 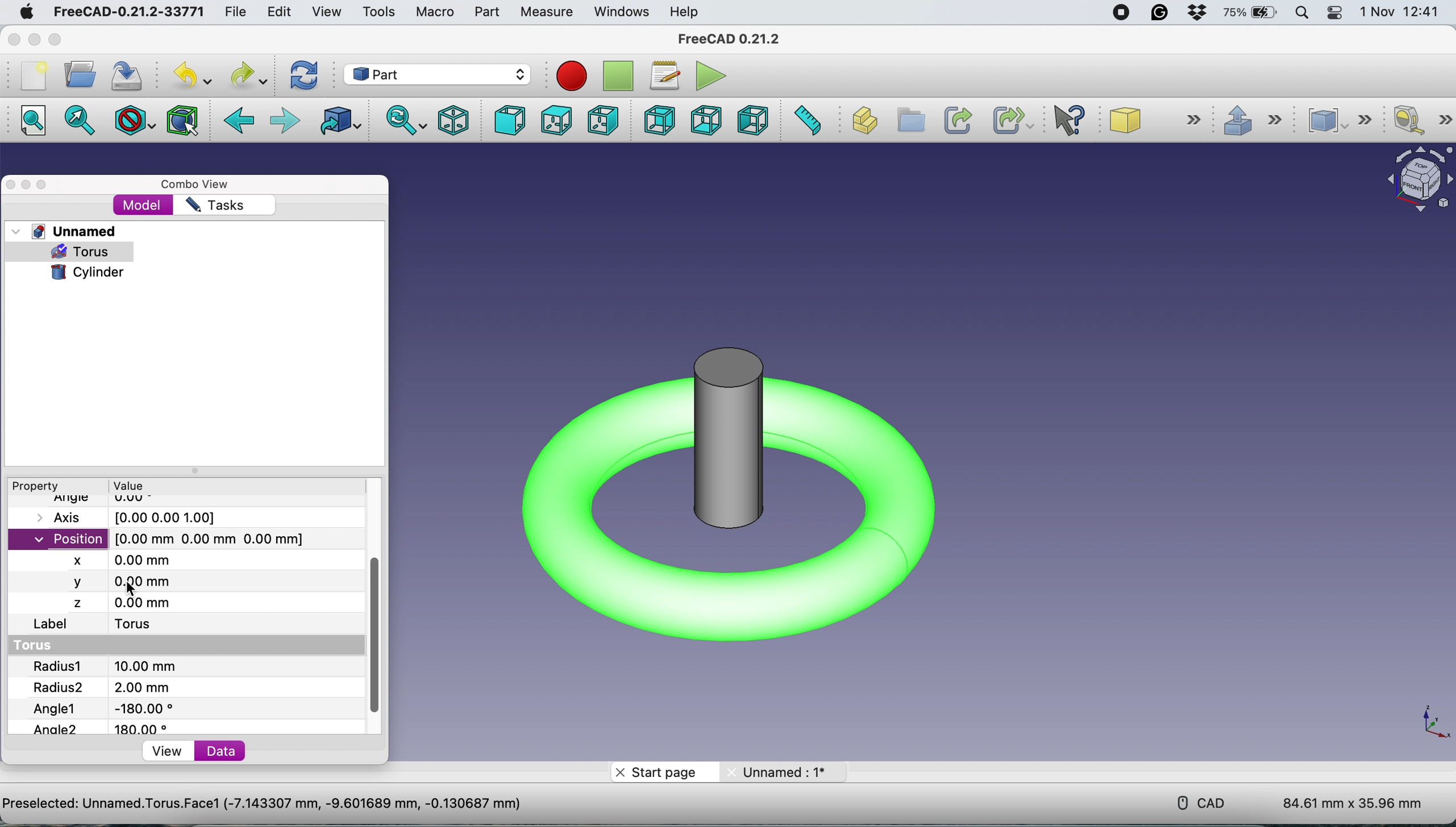 I want to click on part, so click(x=484, y=13).